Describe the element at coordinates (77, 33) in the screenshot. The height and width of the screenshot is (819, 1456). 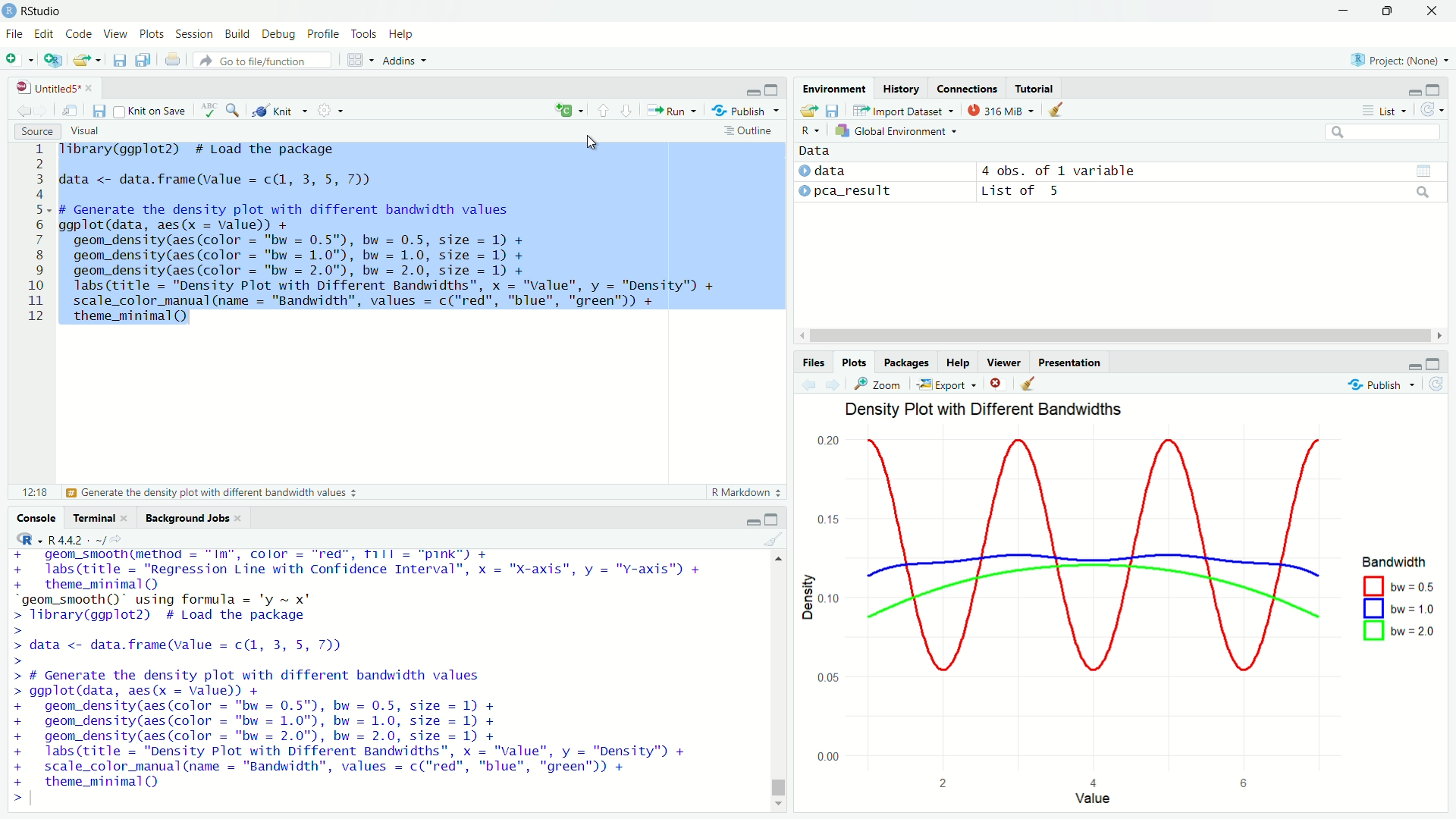
I see `Code` at that location.